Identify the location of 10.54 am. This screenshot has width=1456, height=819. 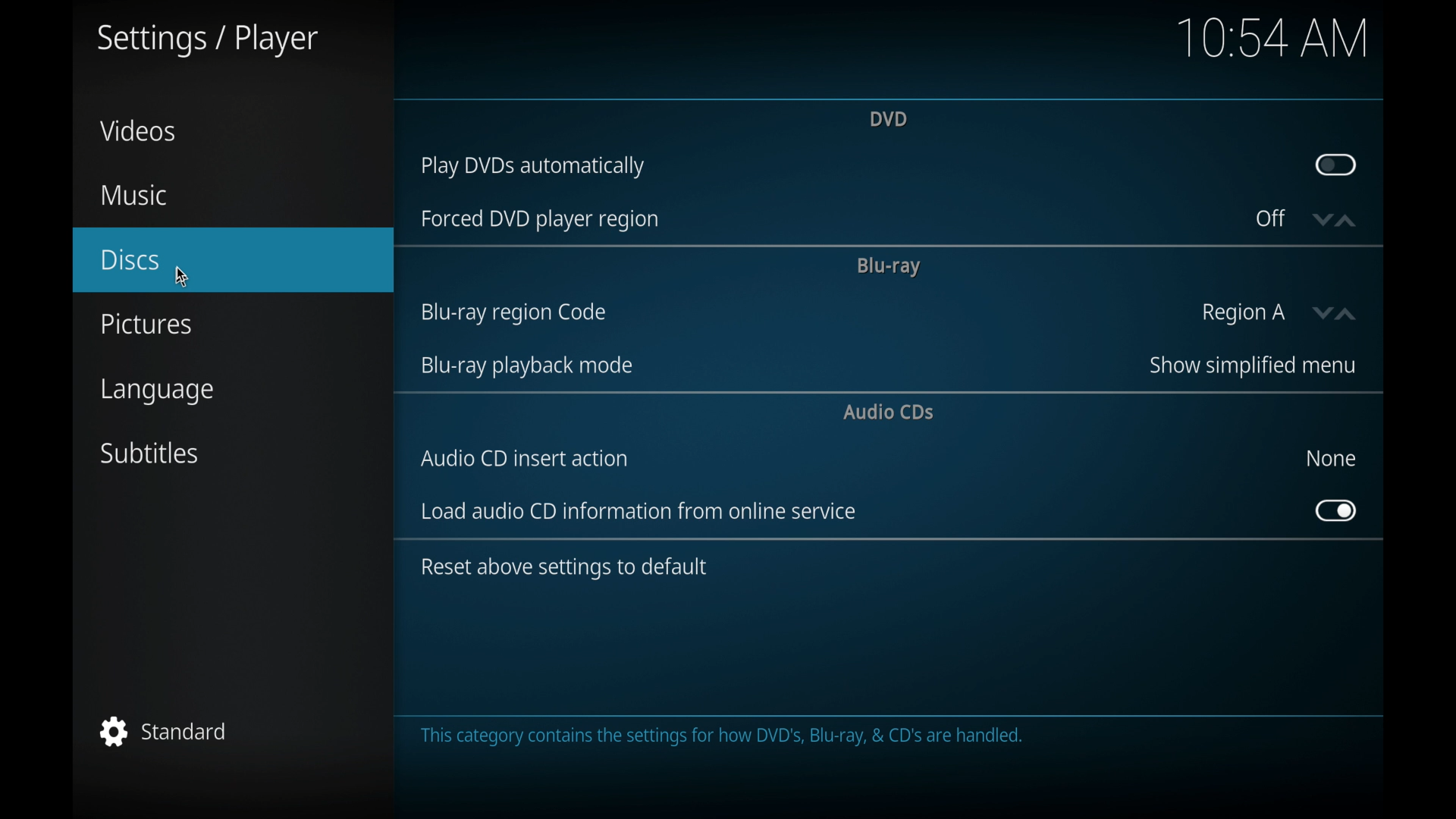
(1273, 36).